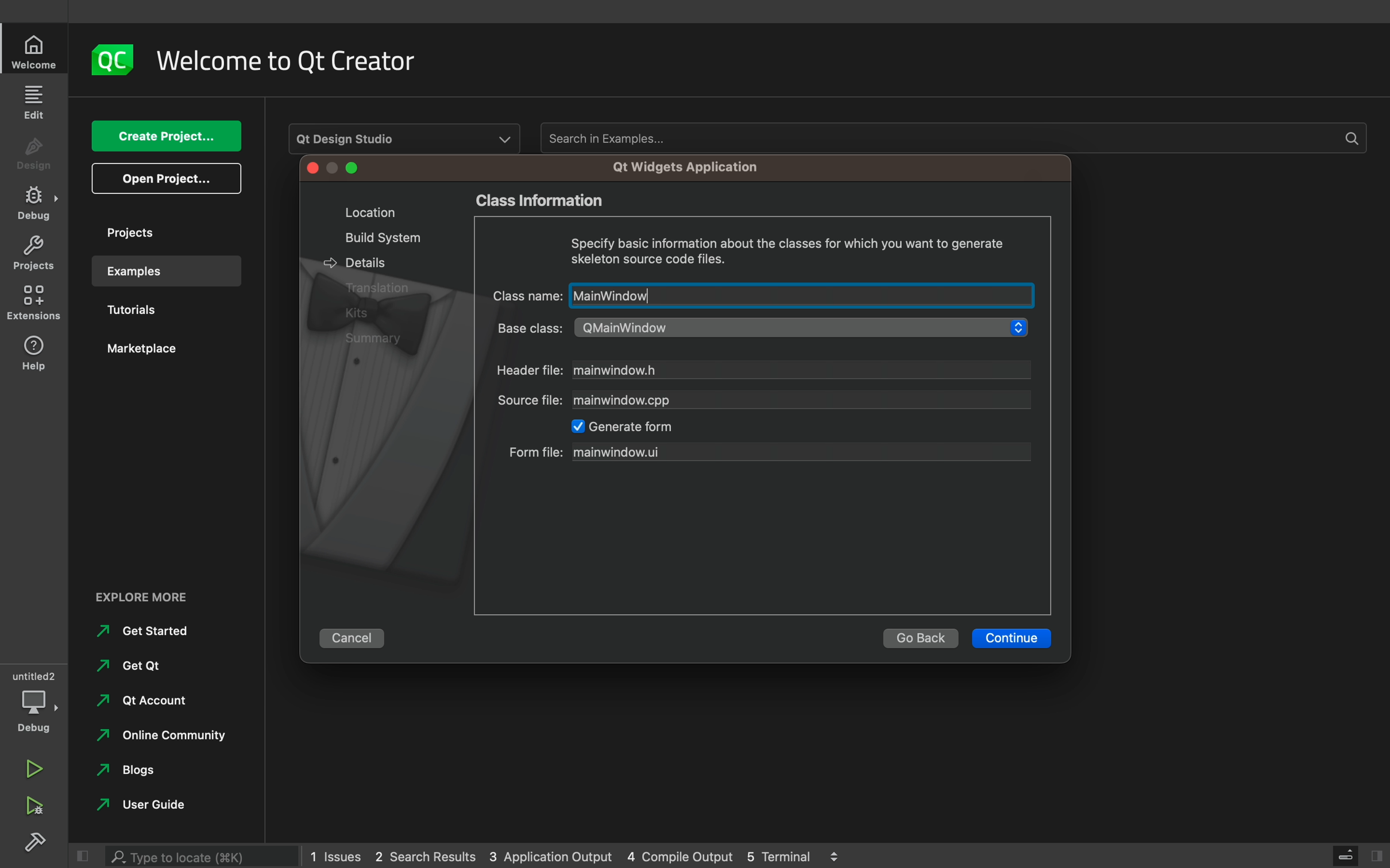  I want to click on widget application, so click(681, 167).